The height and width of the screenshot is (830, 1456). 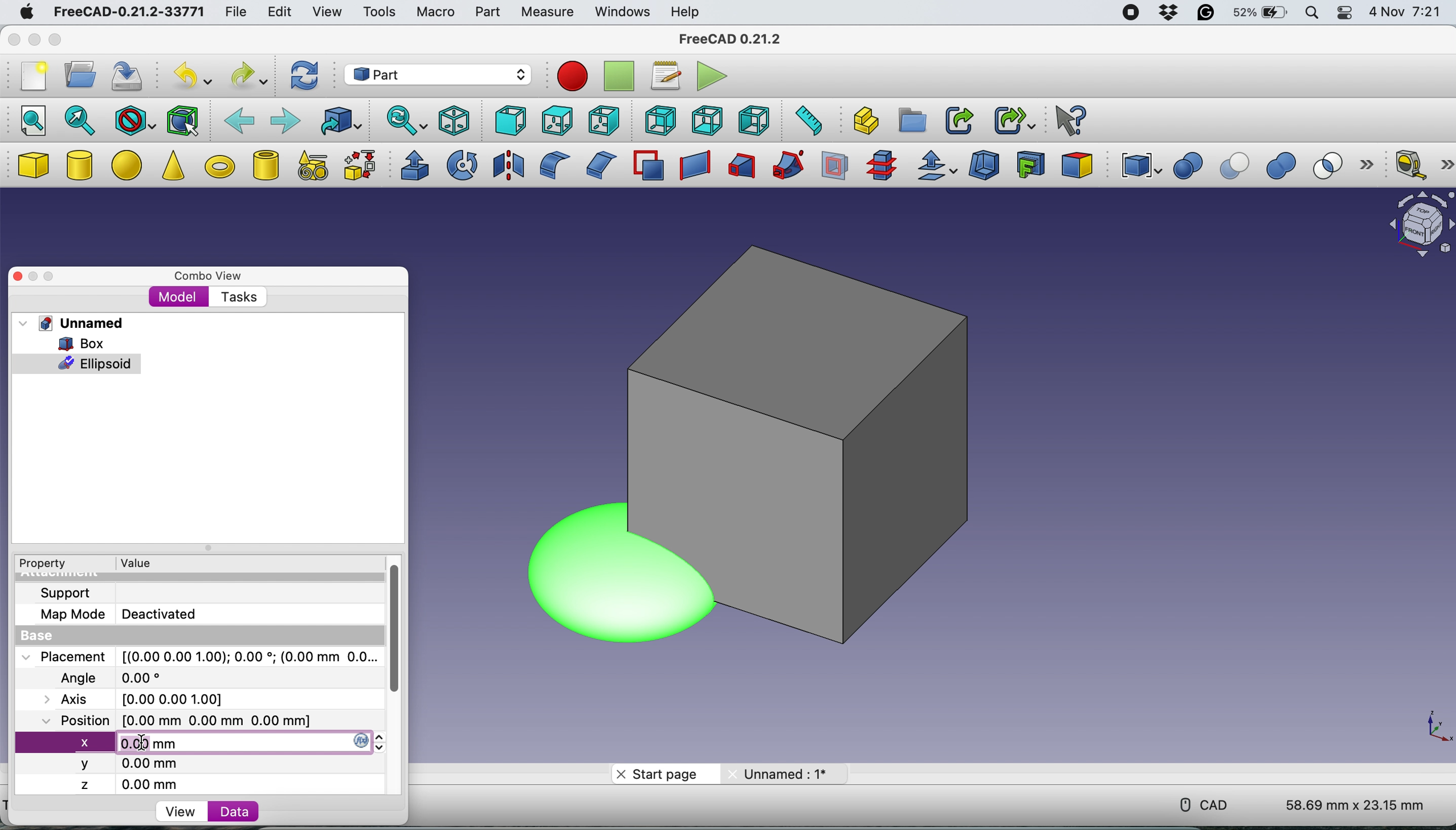 I want to click on object interface, so click(x=1421, y=226).